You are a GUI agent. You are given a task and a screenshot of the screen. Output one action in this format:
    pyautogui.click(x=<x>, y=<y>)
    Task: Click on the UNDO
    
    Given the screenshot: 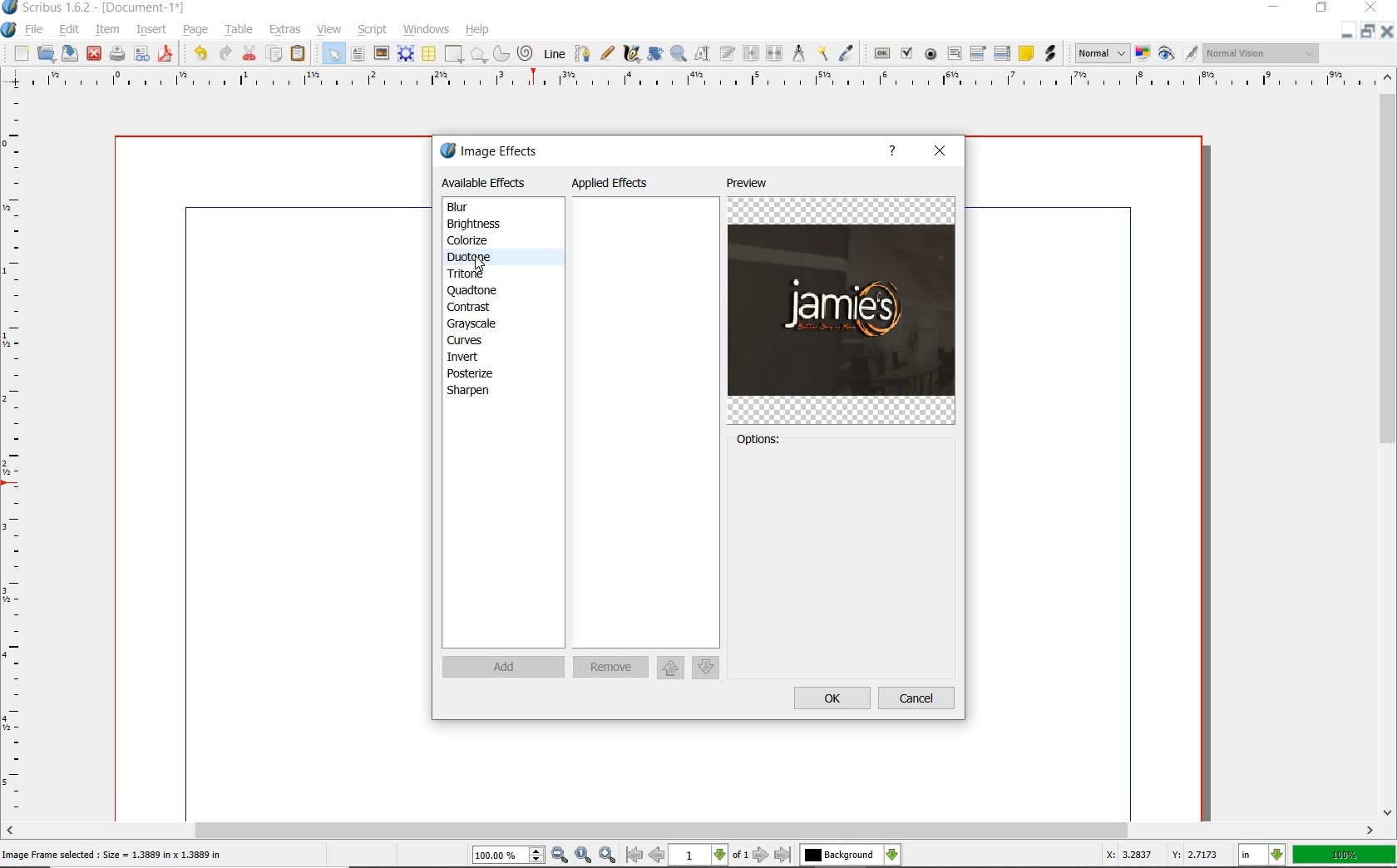 What is the action you would take?
    pyautogui.click(x=224, y=54)
    